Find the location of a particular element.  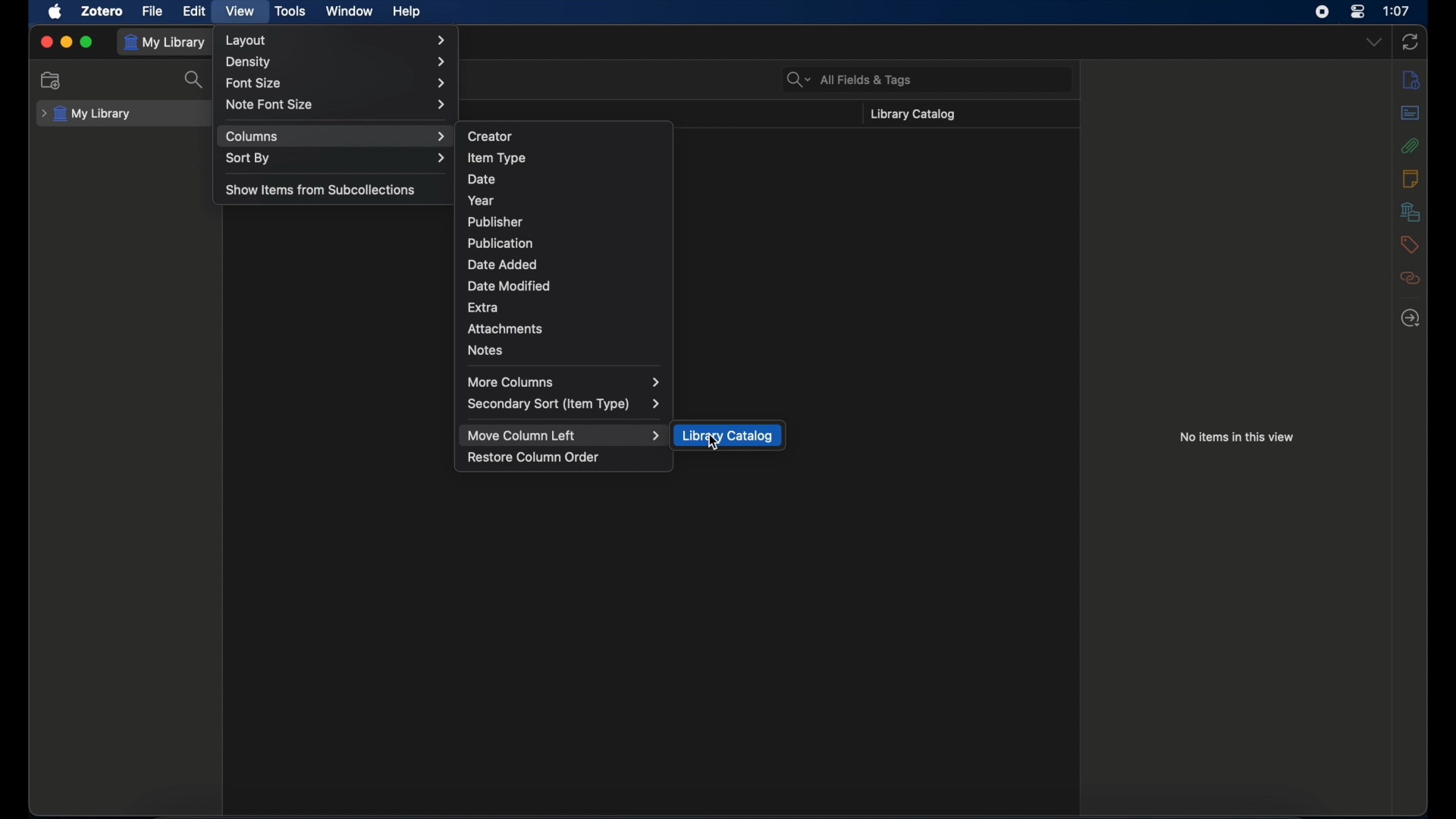

date added is located at coordinates (502, 264).